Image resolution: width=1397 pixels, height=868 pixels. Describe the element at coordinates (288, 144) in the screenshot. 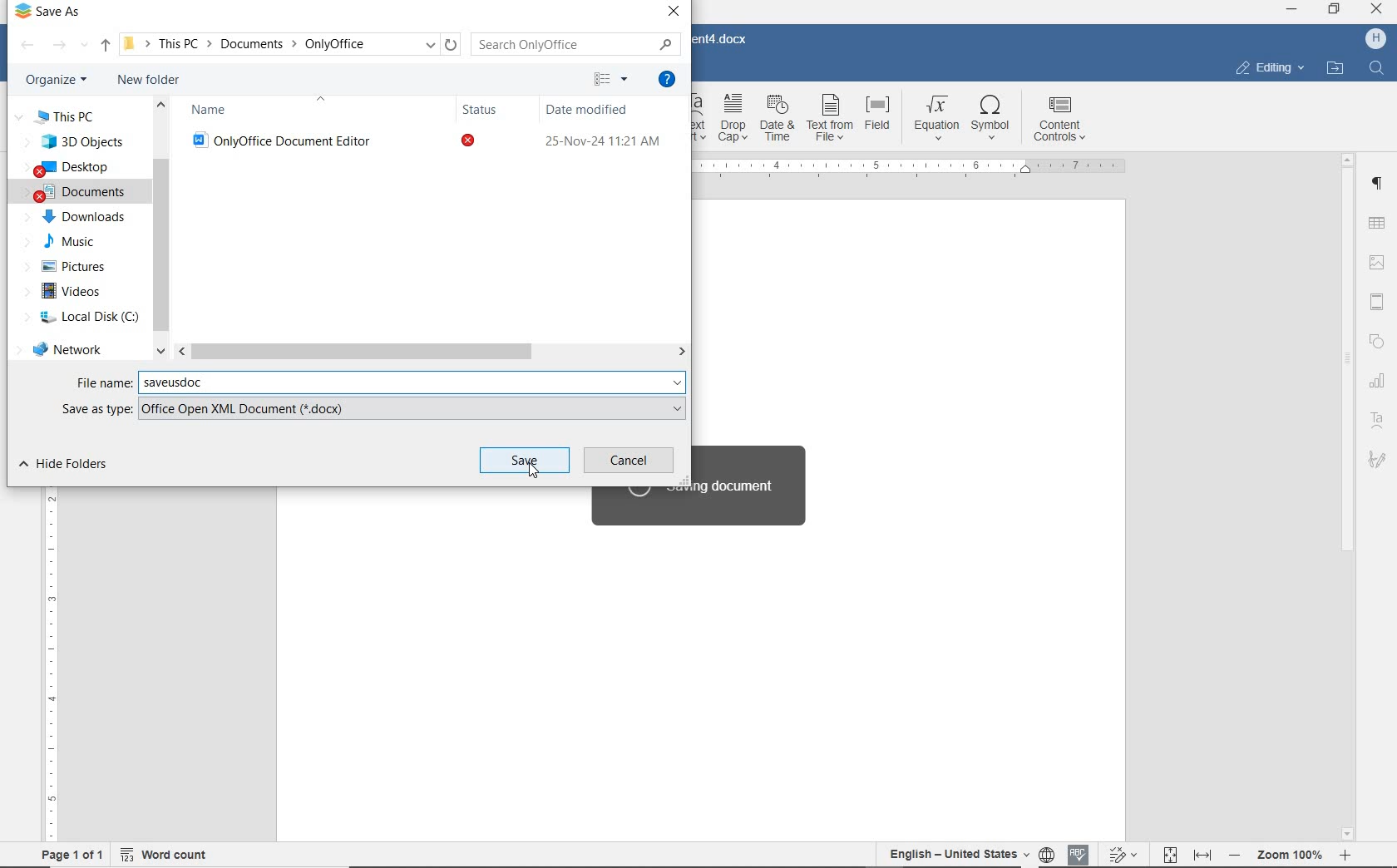

I see `OnlyOffice Document Editor` at that location.